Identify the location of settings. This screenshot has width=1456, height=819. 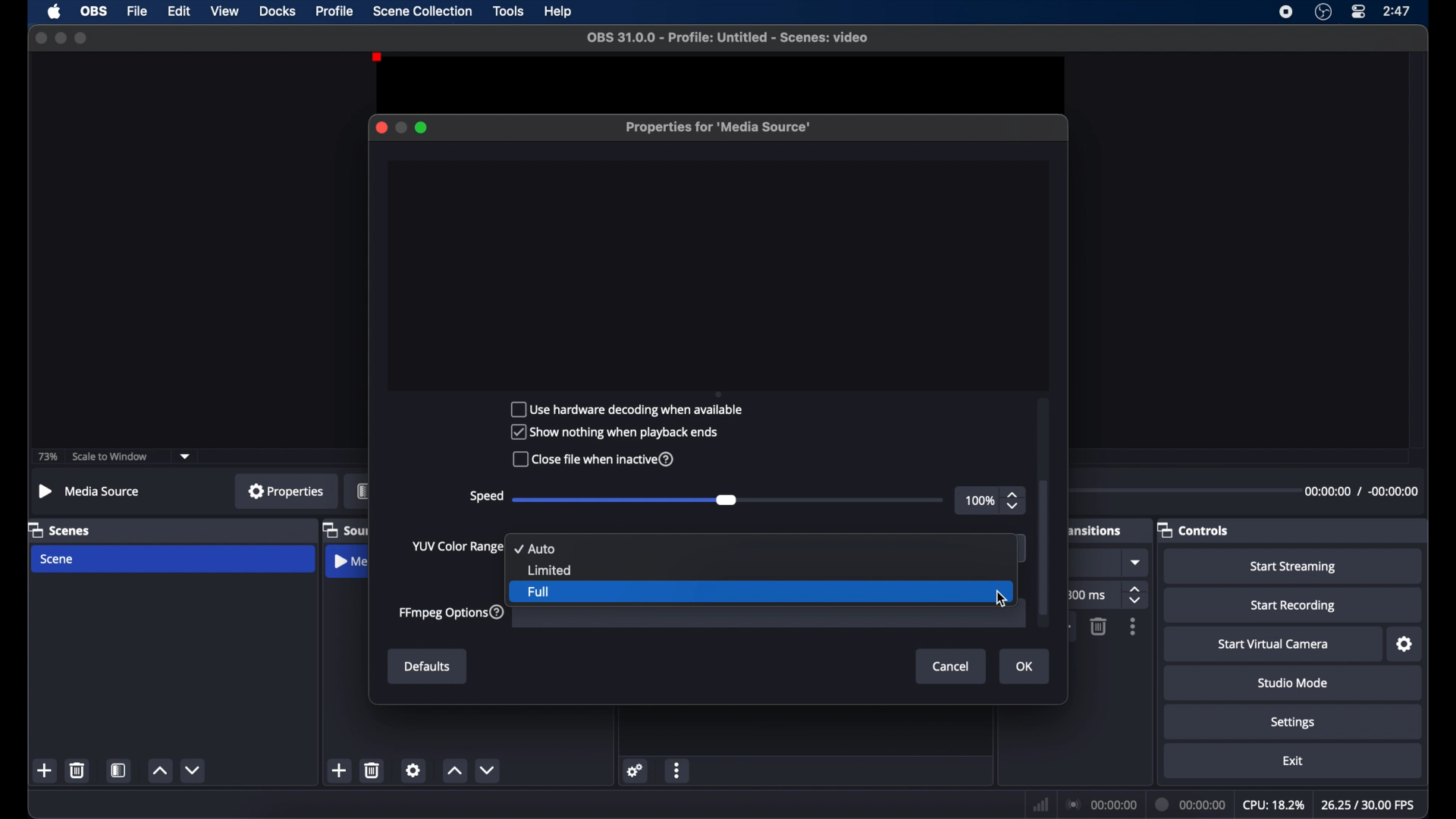
(413, 770).